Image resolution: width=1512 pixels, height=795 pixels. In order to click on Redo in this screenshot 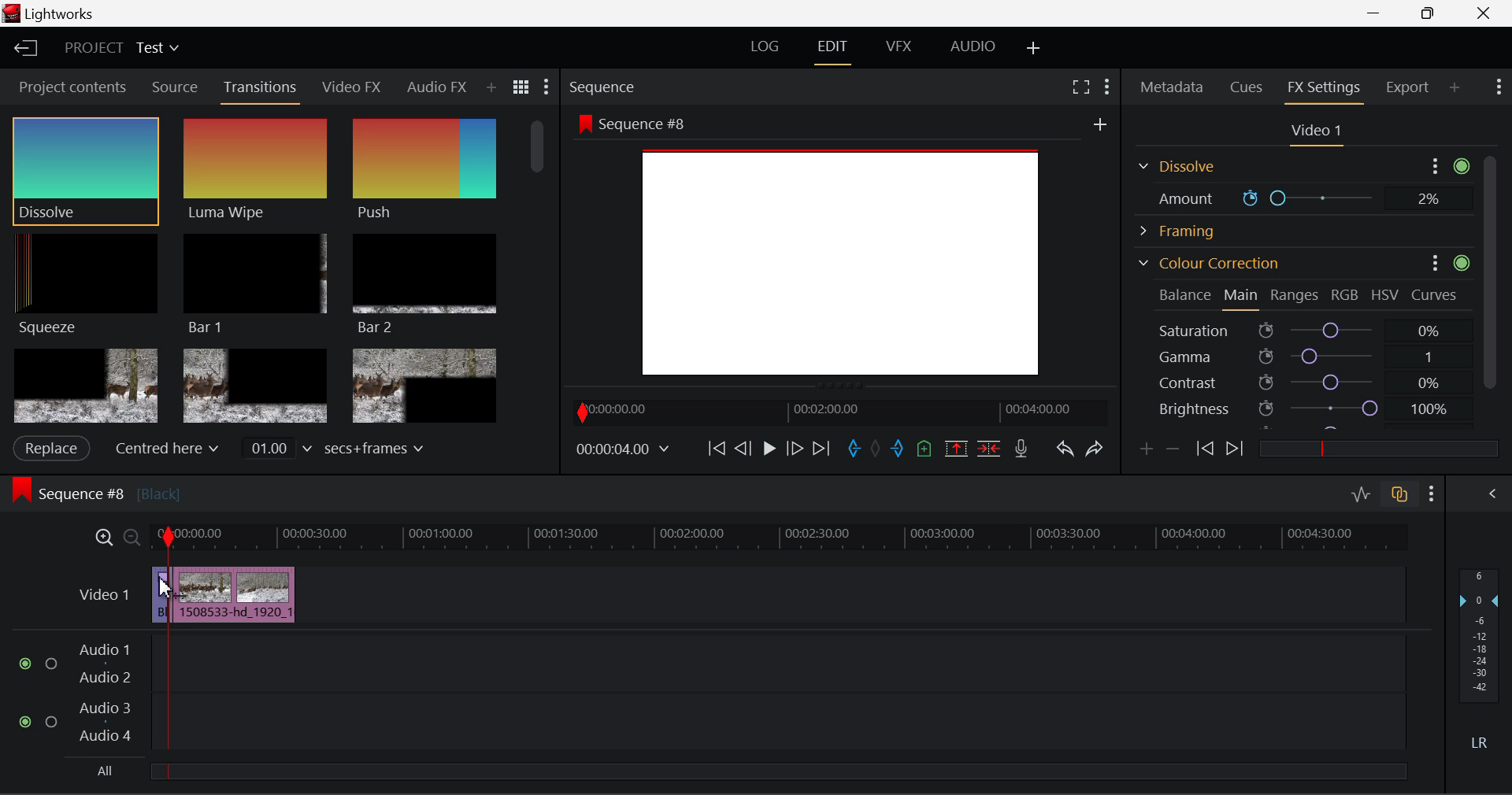, I will do `click(1095, 448)`.